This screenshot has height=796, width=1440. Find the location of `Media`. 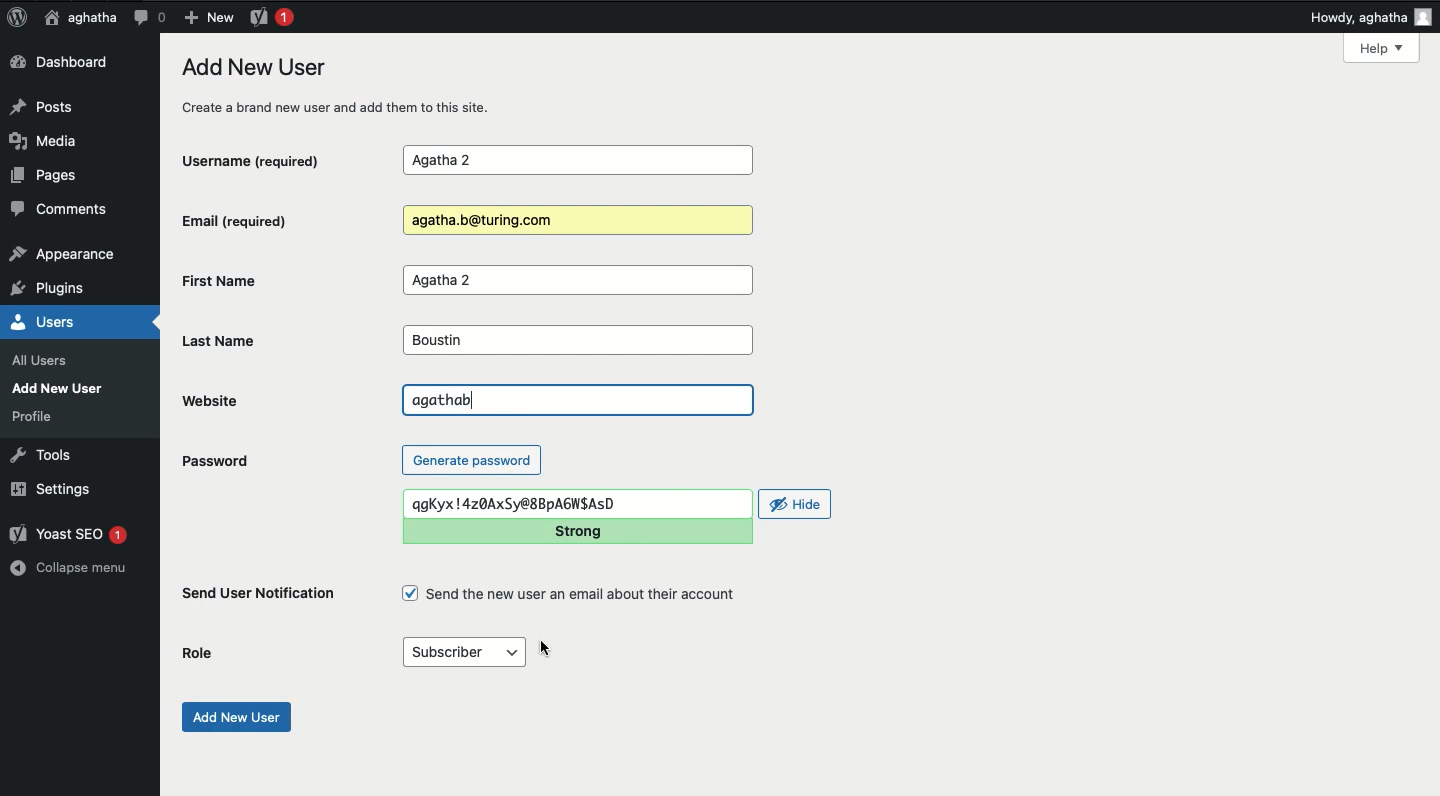

Media is located at coordinates (50, 141).